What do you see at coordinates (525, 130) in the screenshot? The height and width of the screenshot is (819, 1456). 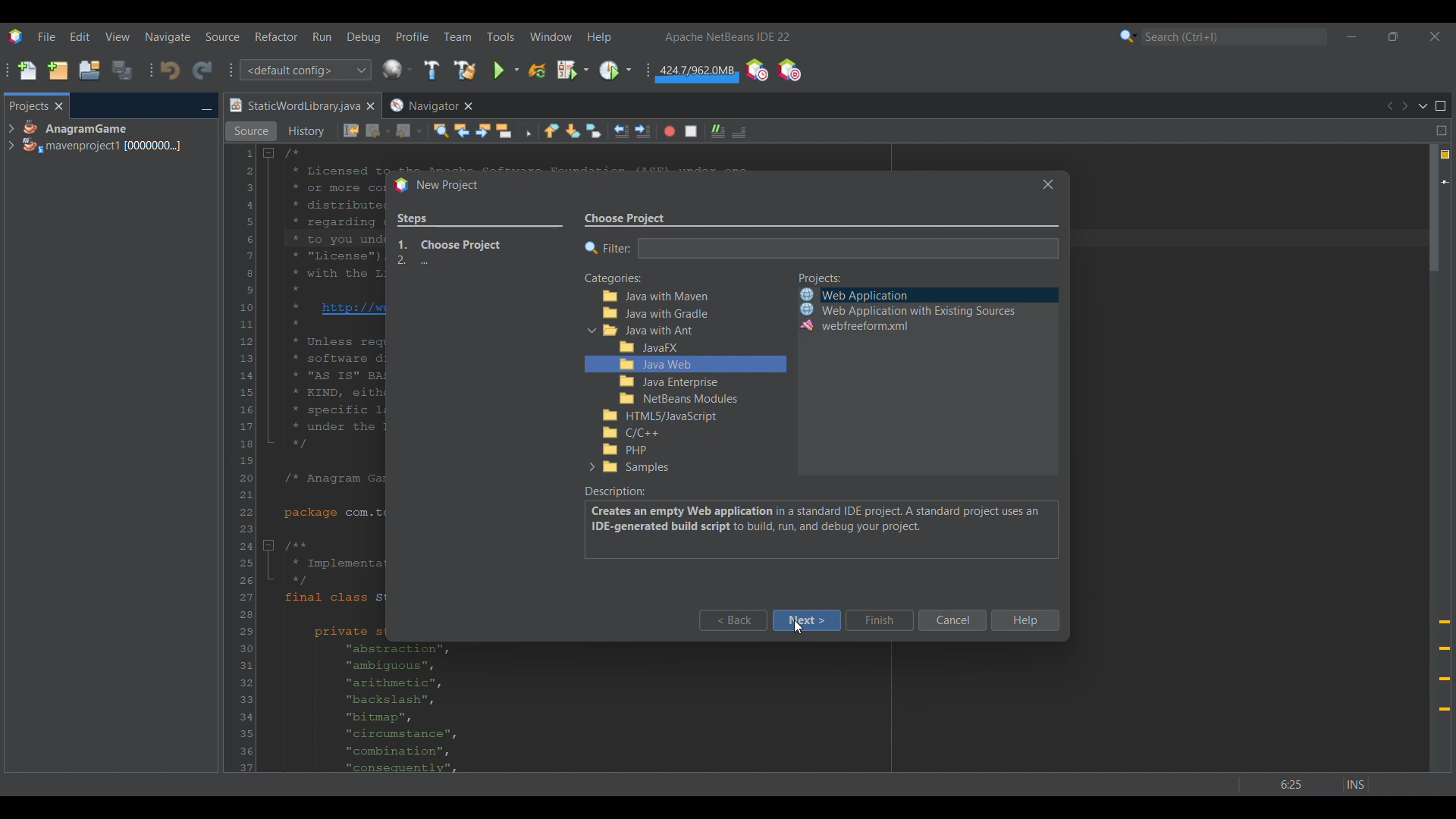 I see `Toggle rectangular selection` at bounding box center [525, 130].